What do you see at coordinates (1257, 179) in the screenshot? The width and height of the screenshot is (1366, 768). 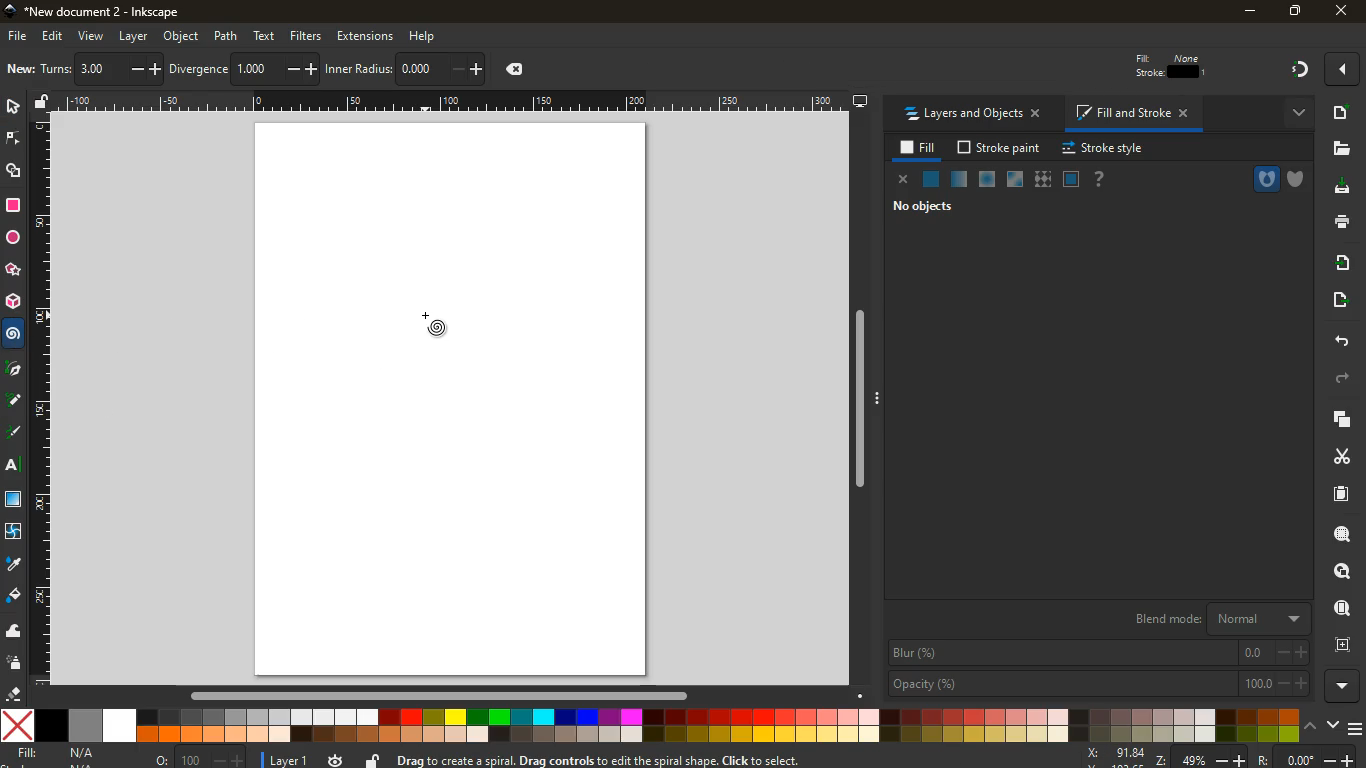 I see `hole` at bounding box center [1257, 179].